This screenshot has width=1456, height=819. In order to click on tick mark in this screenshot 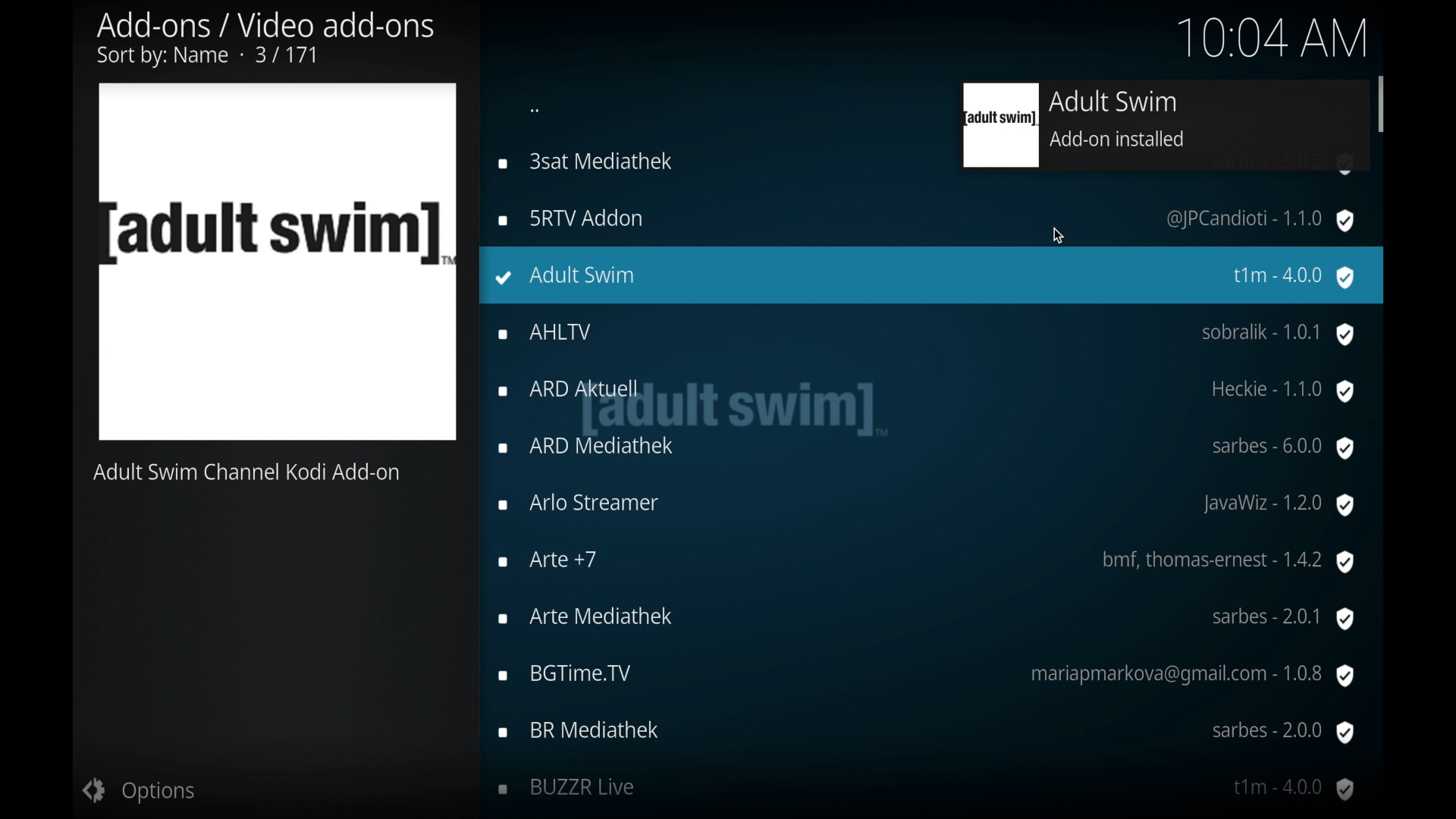, I will do `click(504, 278)`.